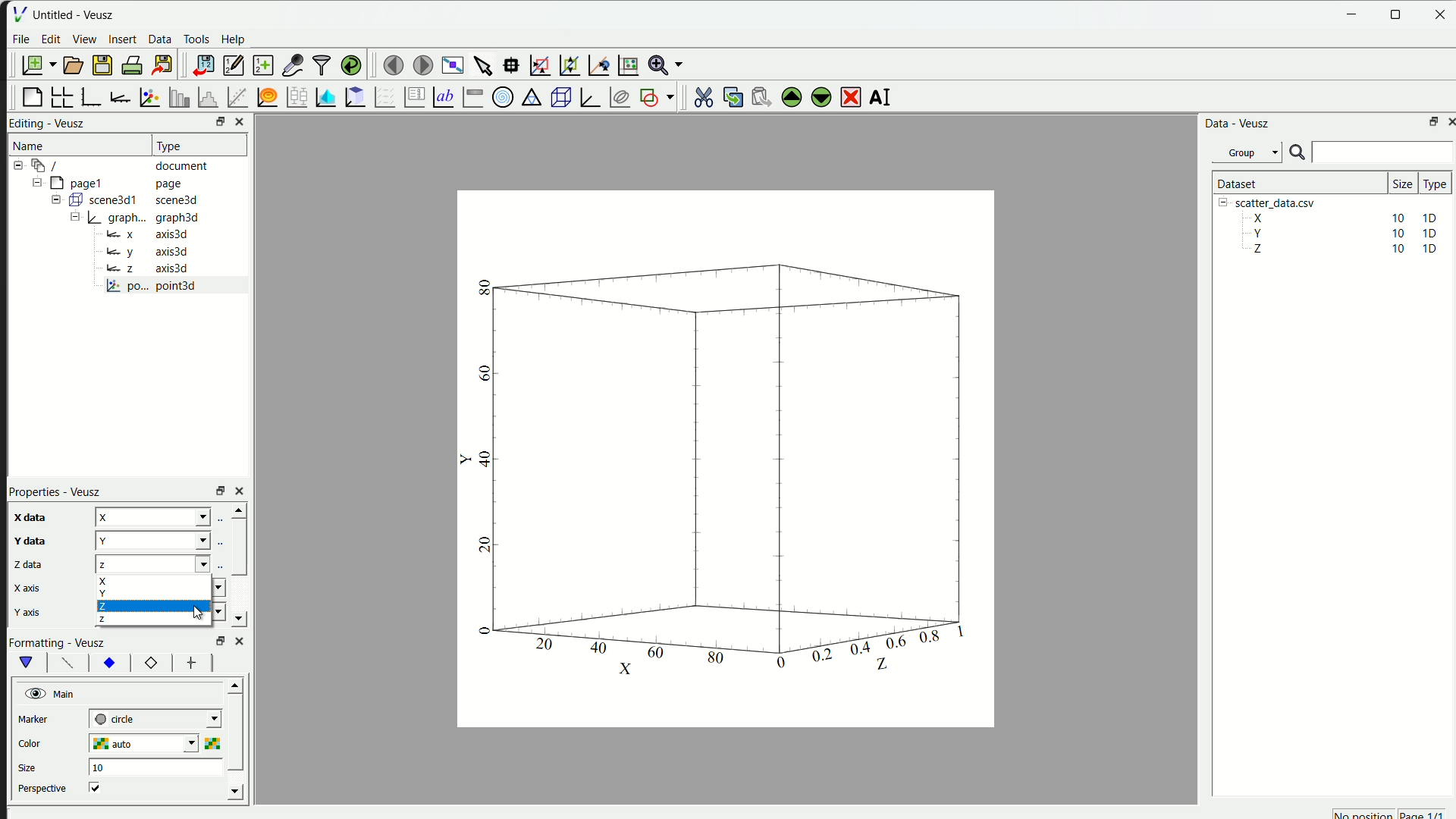 The height and width of the screenshot is (819, 1456). What do you see at coordinates (1432, 184) in the screenshot?
I see `| Type` at bounding box center [1432, 184].